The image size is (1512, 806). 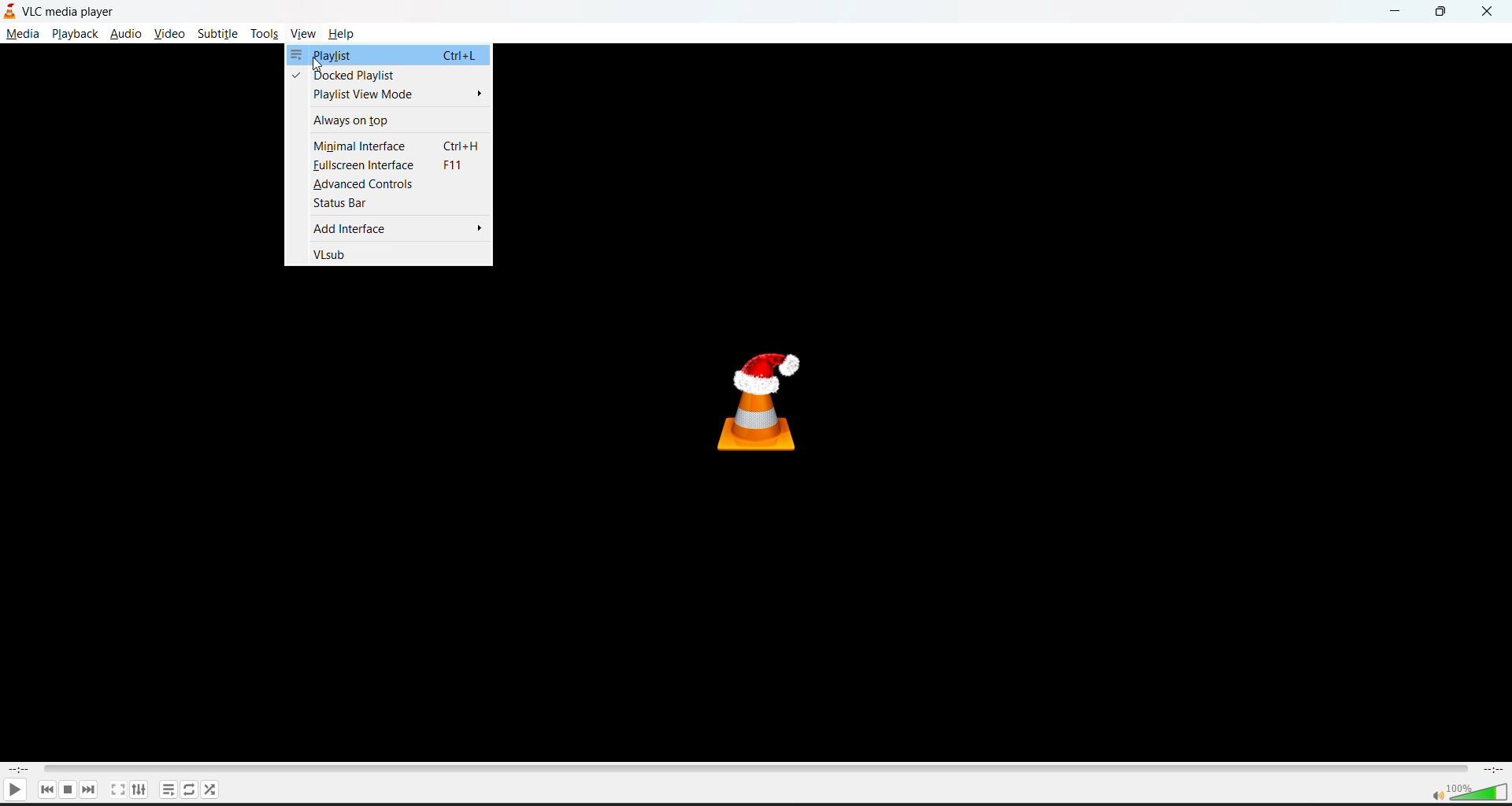 What do you see at coordinates (385, 75) in the screenshot?
I see `docked playlist` at bounding box center [385, 75].